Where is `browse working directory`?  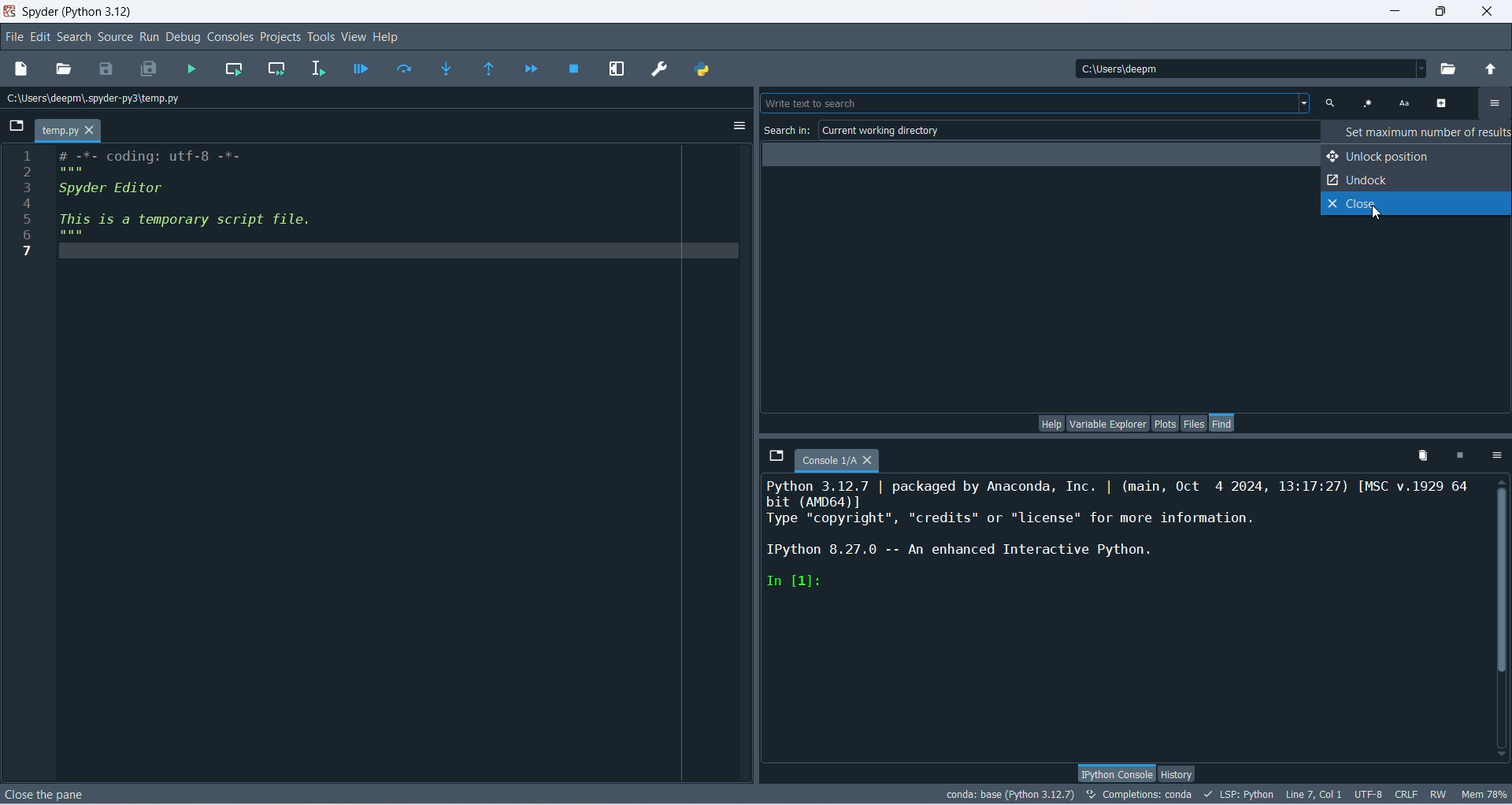
browse working directory is located at coordinates (1451, 69).